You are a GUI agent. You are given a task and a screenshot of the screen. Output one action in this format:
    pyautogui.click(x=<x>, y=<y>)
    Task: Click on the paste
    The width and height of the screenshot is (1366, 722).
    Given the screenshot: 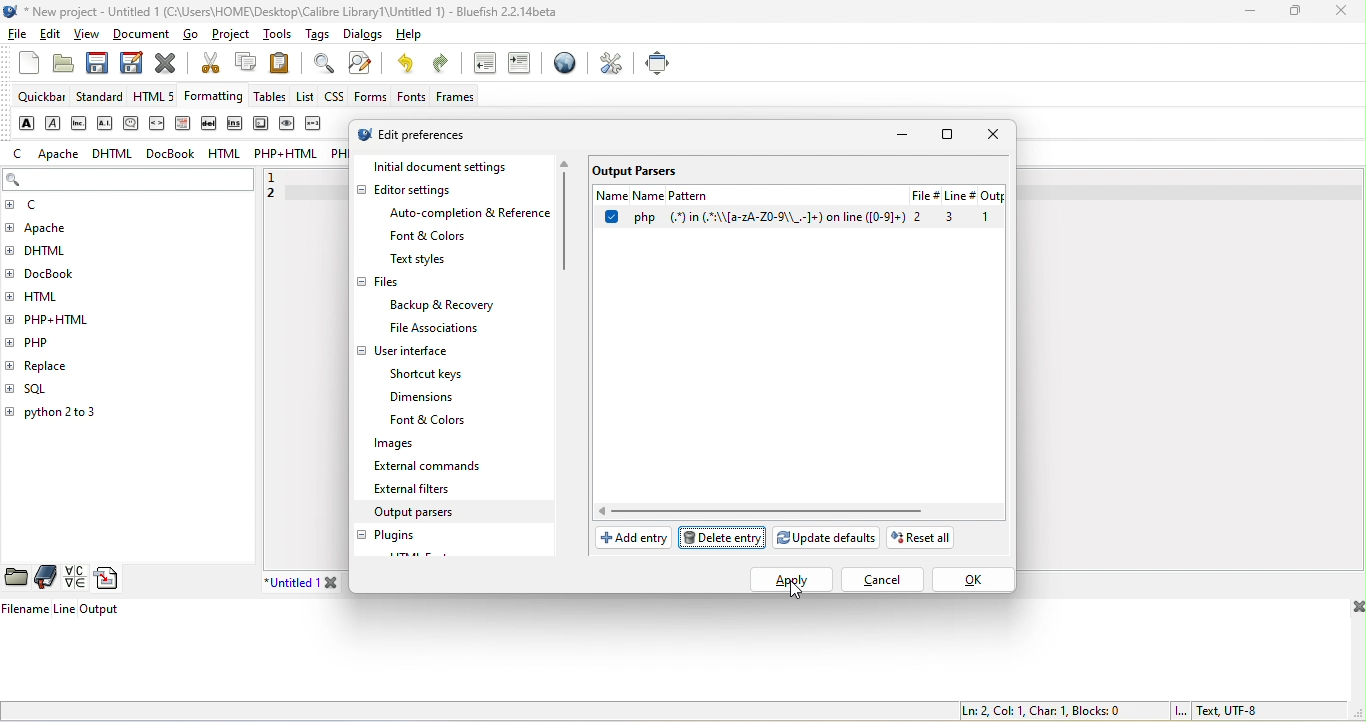 What is the action you would take?
    pyautogui.click(x=283, y=66)
    